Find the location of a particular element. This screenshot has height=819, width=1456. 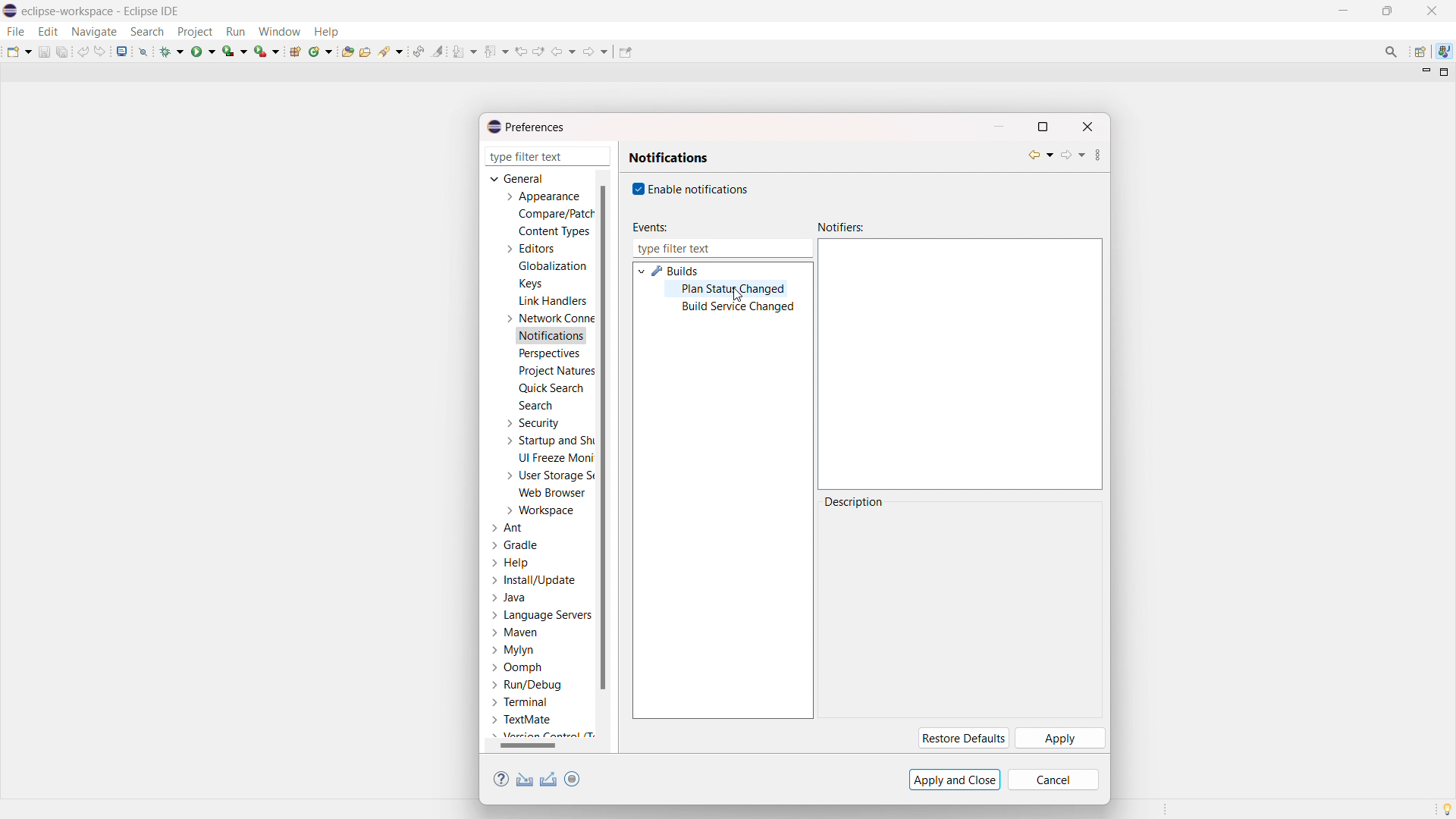

install/update is located at coordinates (535, 581).